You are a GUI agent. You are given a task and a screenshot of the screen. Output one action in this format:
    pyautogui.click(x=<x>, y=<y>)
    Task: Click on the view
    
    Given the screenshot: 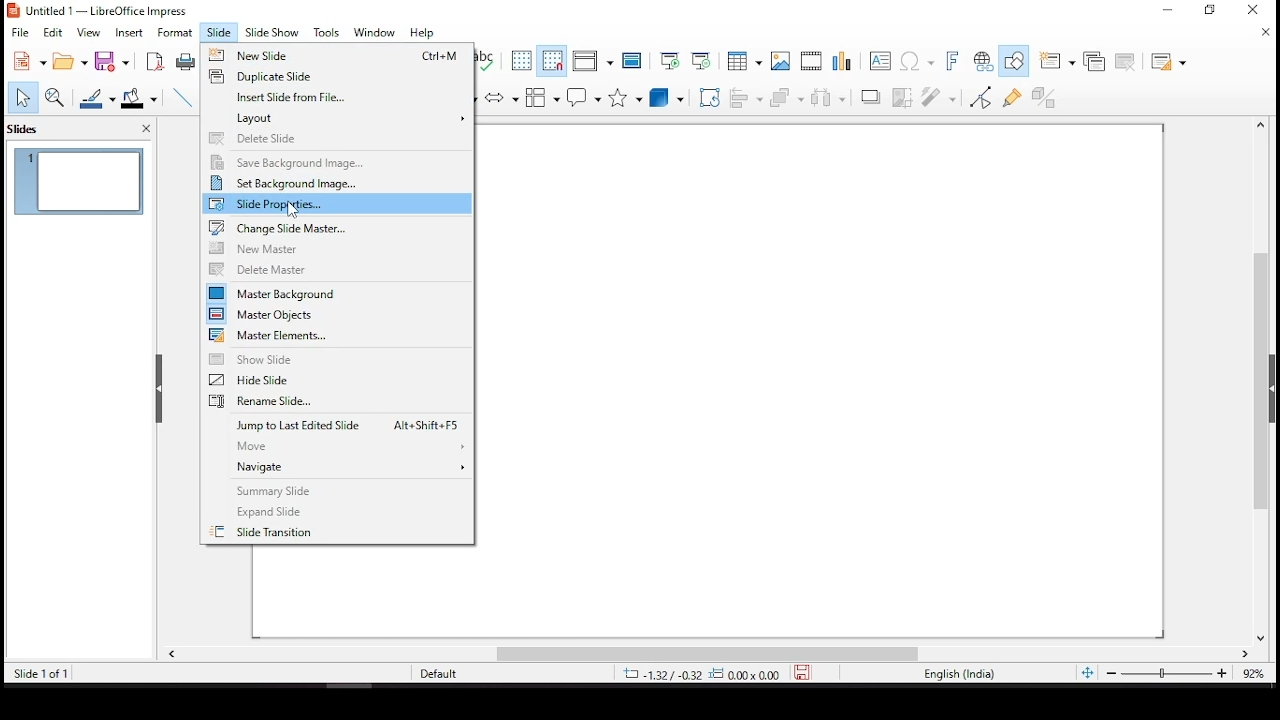 What is the action you would take?
    pyautogui.click(x=90, y=33)
    